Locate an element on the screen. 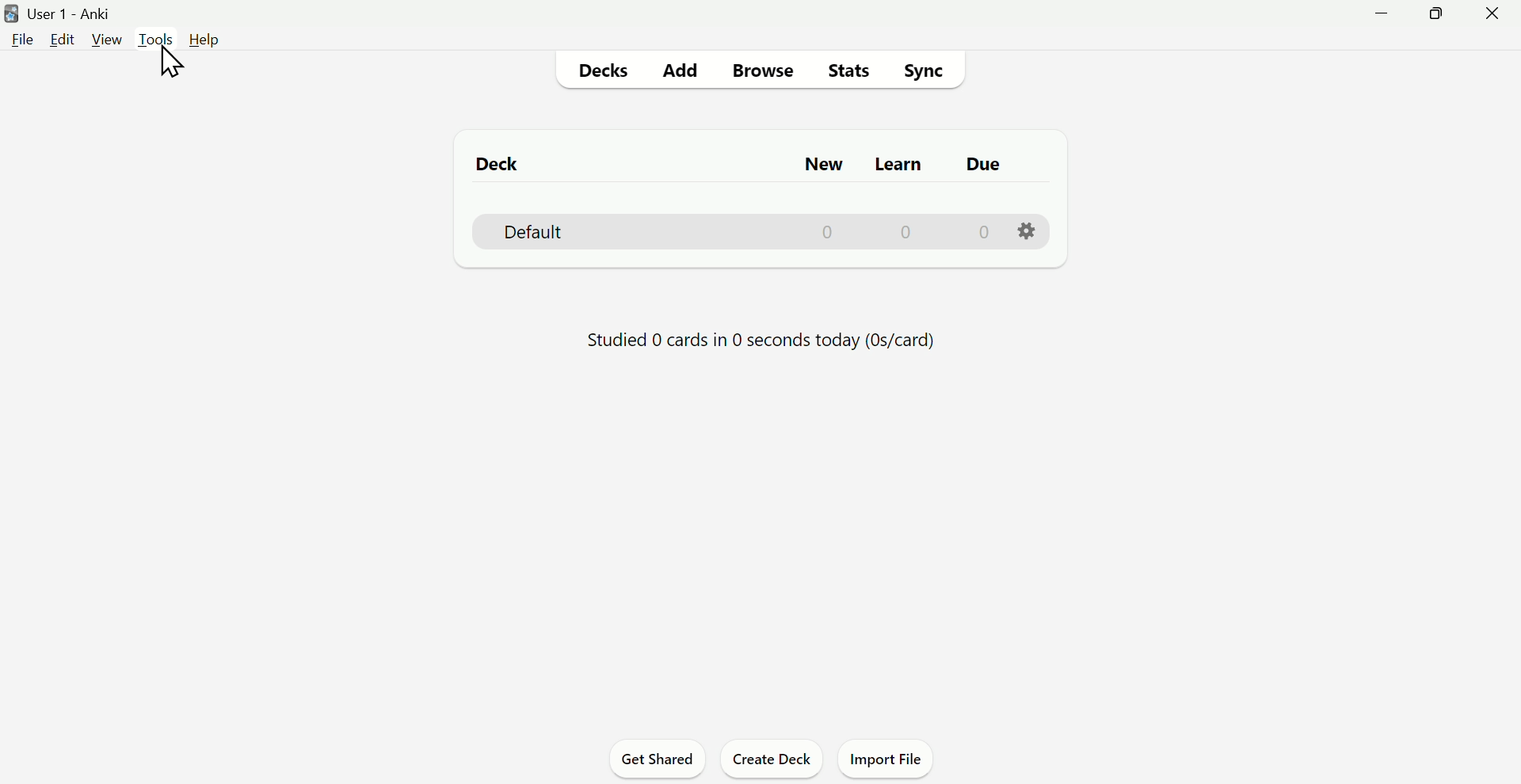  Sync is located at coordinates (928, 70).